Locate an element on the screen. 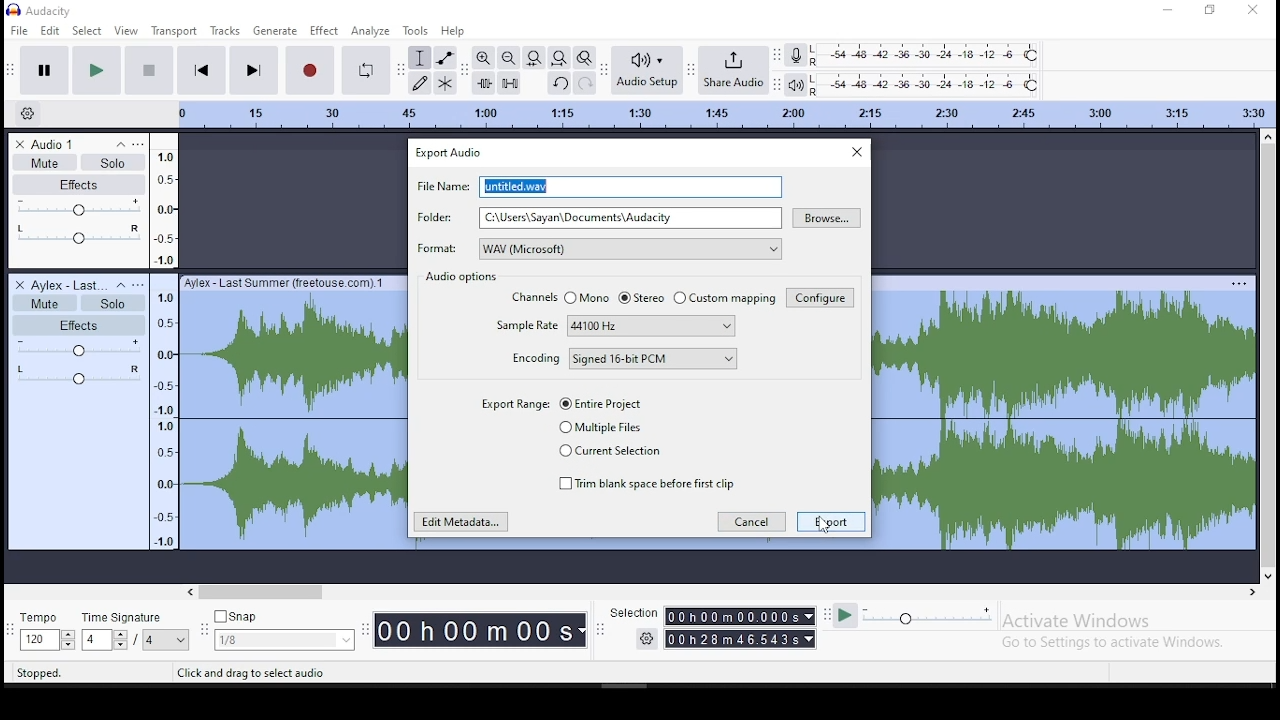 This screenshot has width=1280, height=720. audio setup is located at coordinates (646, 71).